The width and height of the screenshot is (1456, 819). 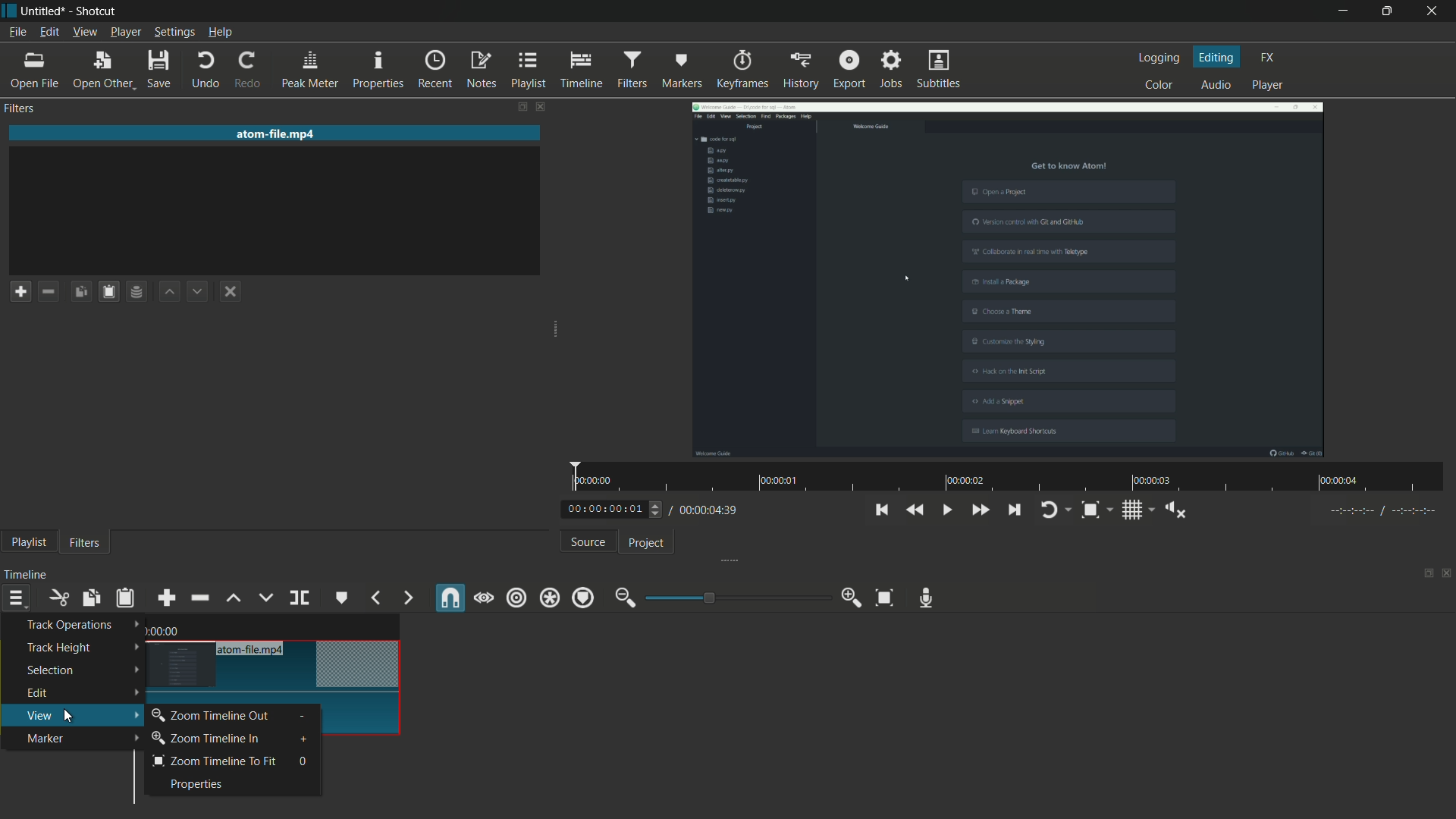 I want to click on ripple delete, so click(x=199, y=598).